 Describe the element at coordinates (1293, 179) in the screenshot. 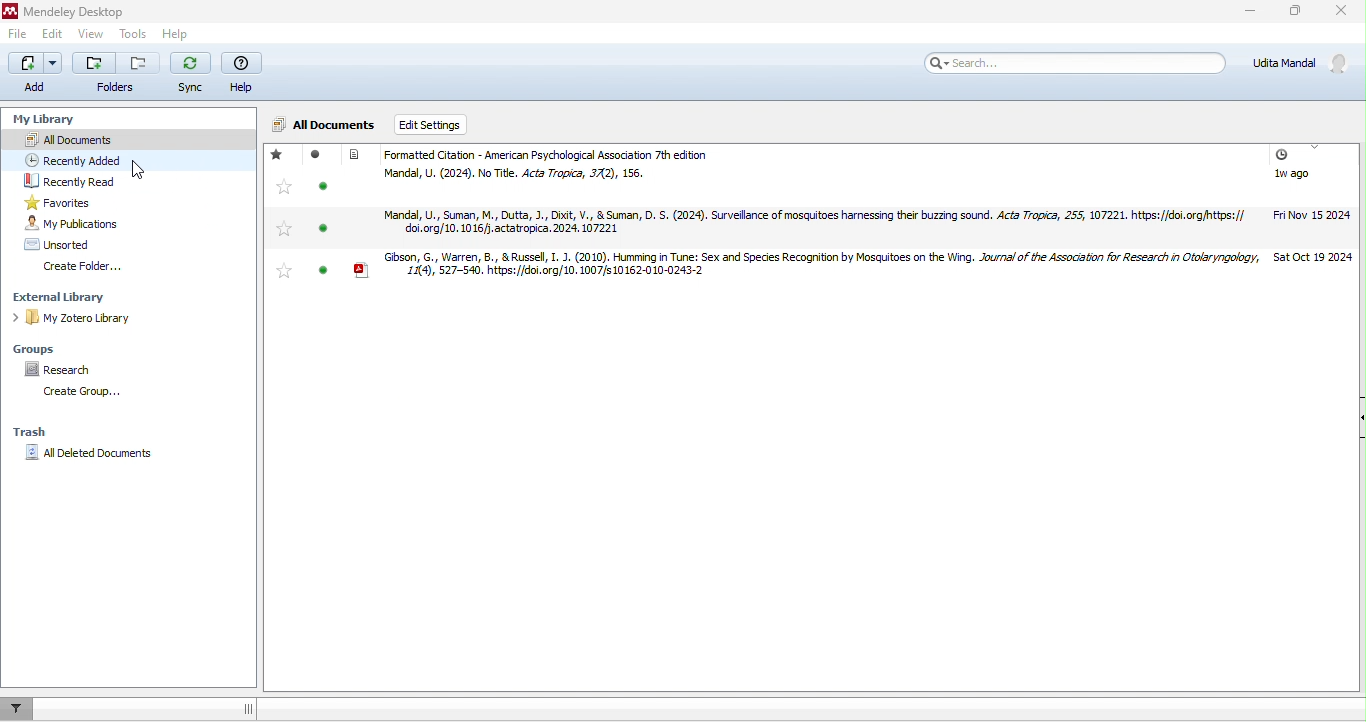

I see `1 w ago` at that location.